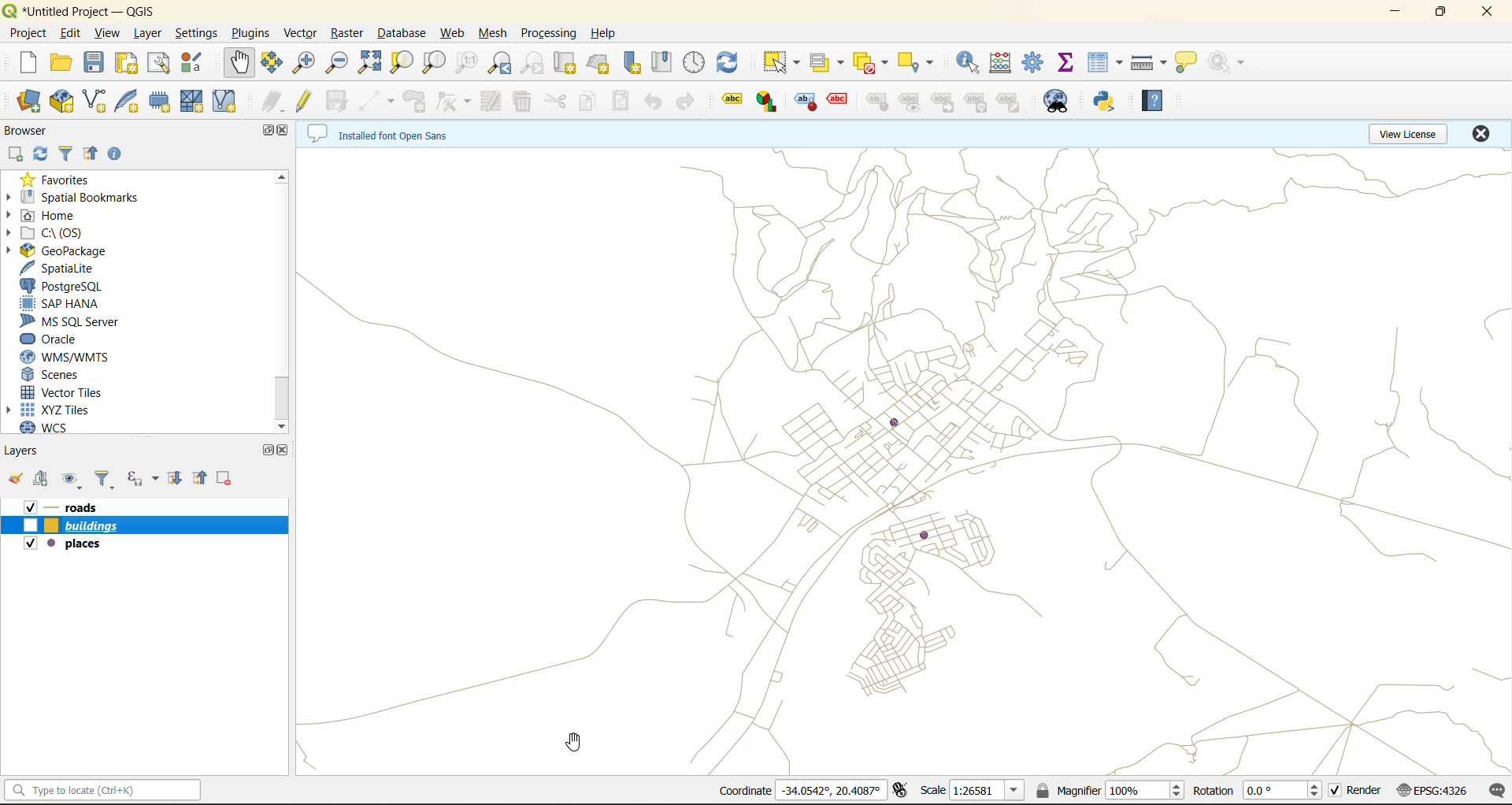 The height and width of the screenshot is (805, 1512). I want to click on Label, so click(734, 101).